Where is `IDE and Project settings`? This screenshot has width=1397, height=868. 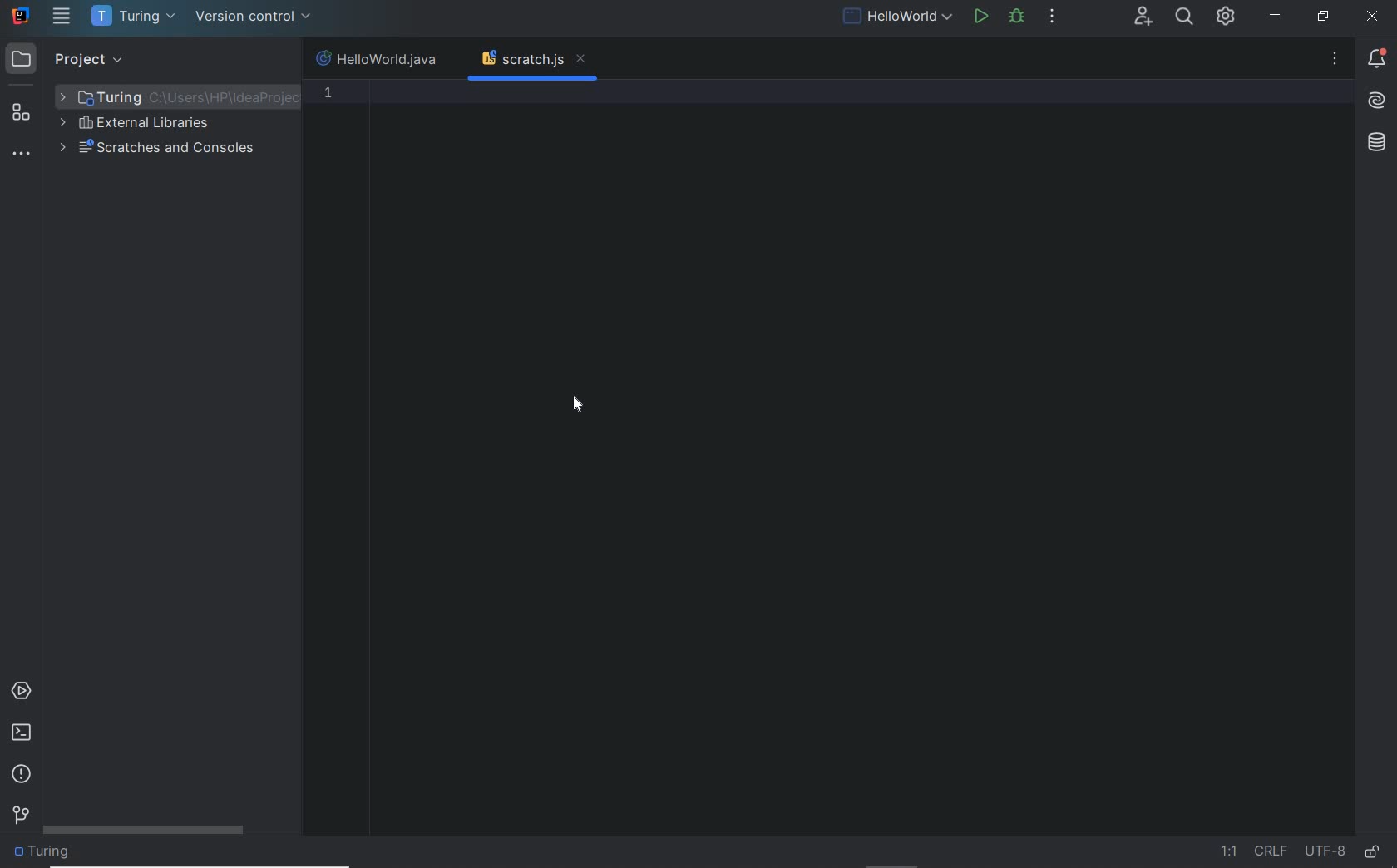 IDE and Project settings is located at coordinates (1227, 18).